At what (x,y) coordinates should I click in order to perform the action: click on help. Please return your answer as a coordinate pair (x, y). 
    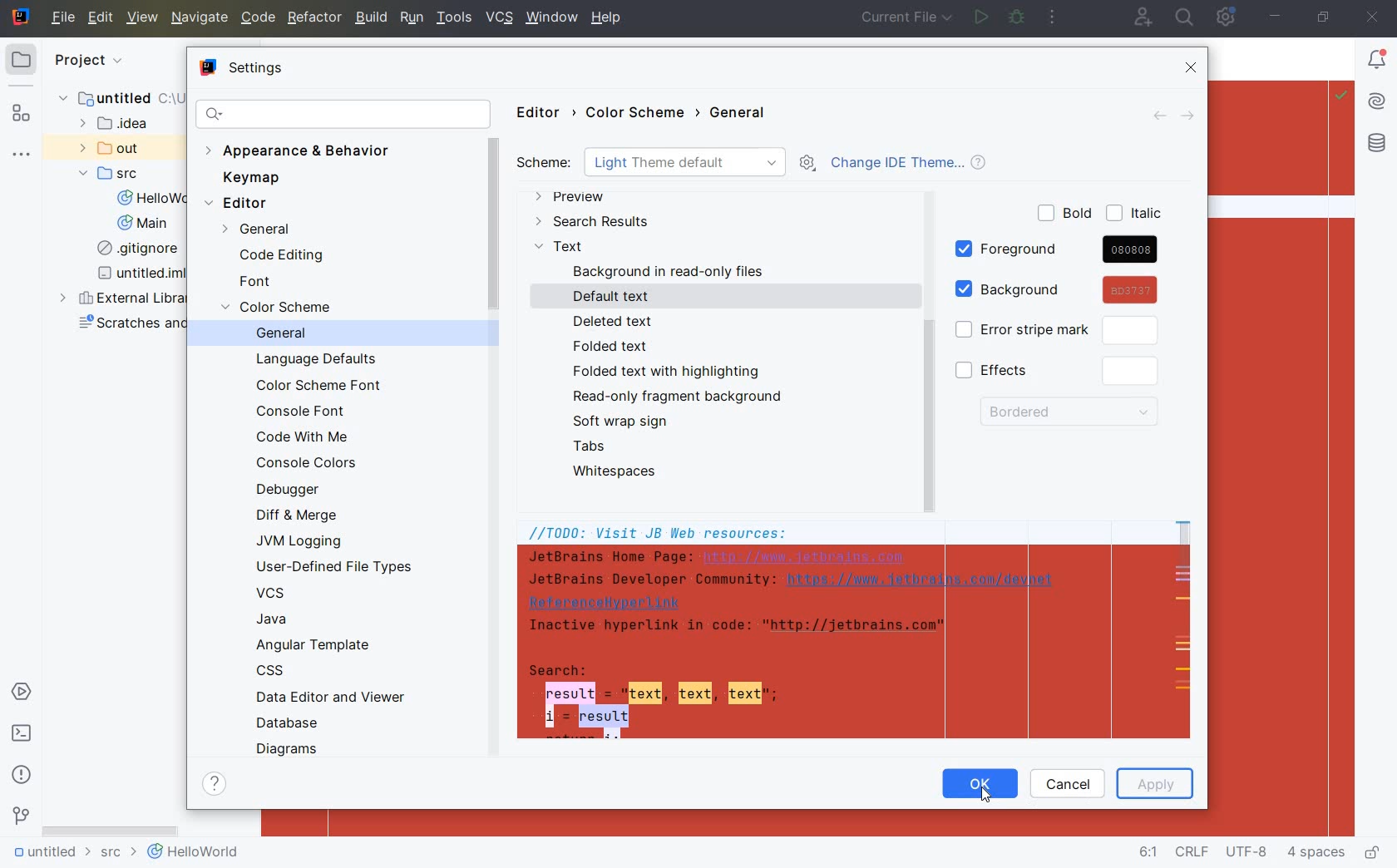
    Looking at the image, I should click on (610, 19).